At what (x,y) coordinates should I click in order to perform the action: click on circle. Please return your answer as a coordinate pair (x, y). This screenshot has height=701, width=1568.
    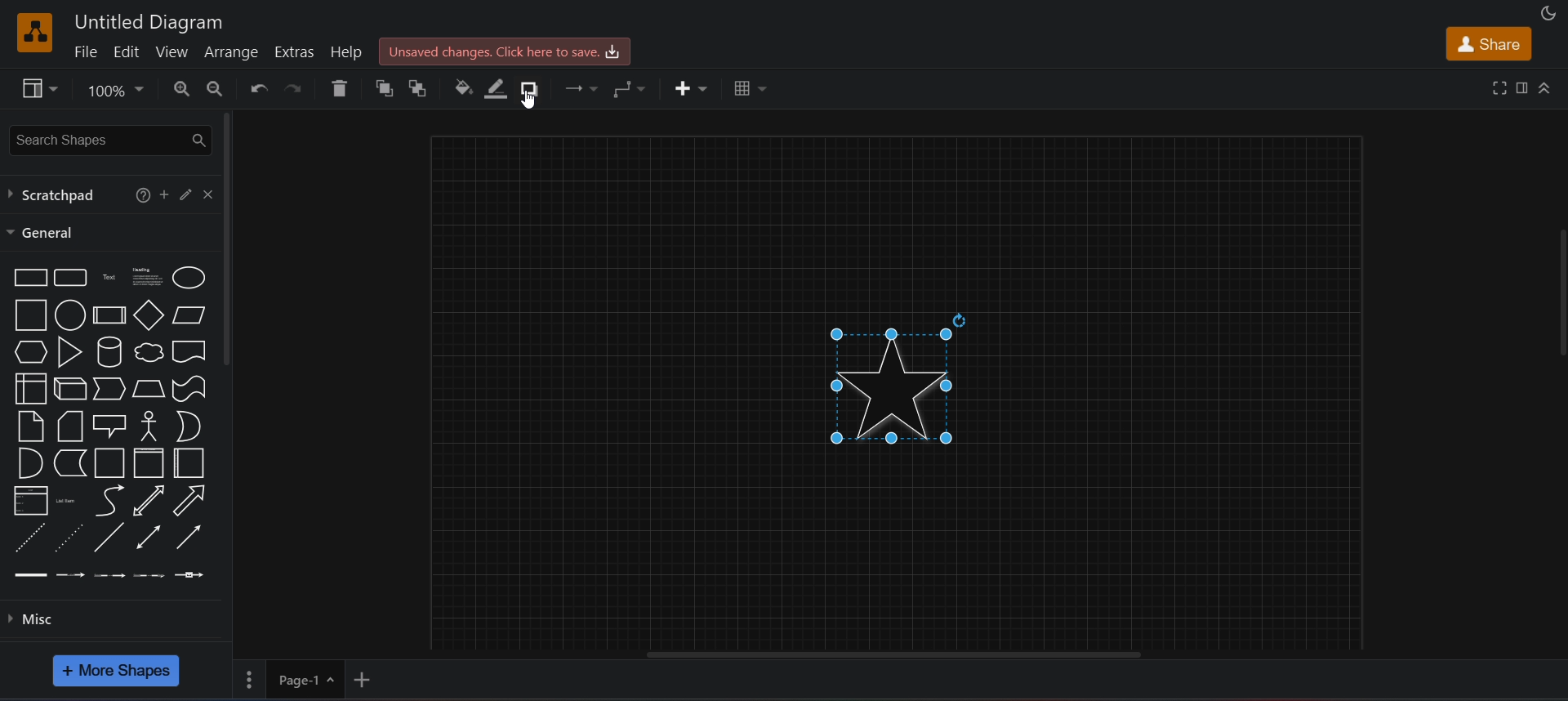
    Looking at the image, I should click on (69, 314).